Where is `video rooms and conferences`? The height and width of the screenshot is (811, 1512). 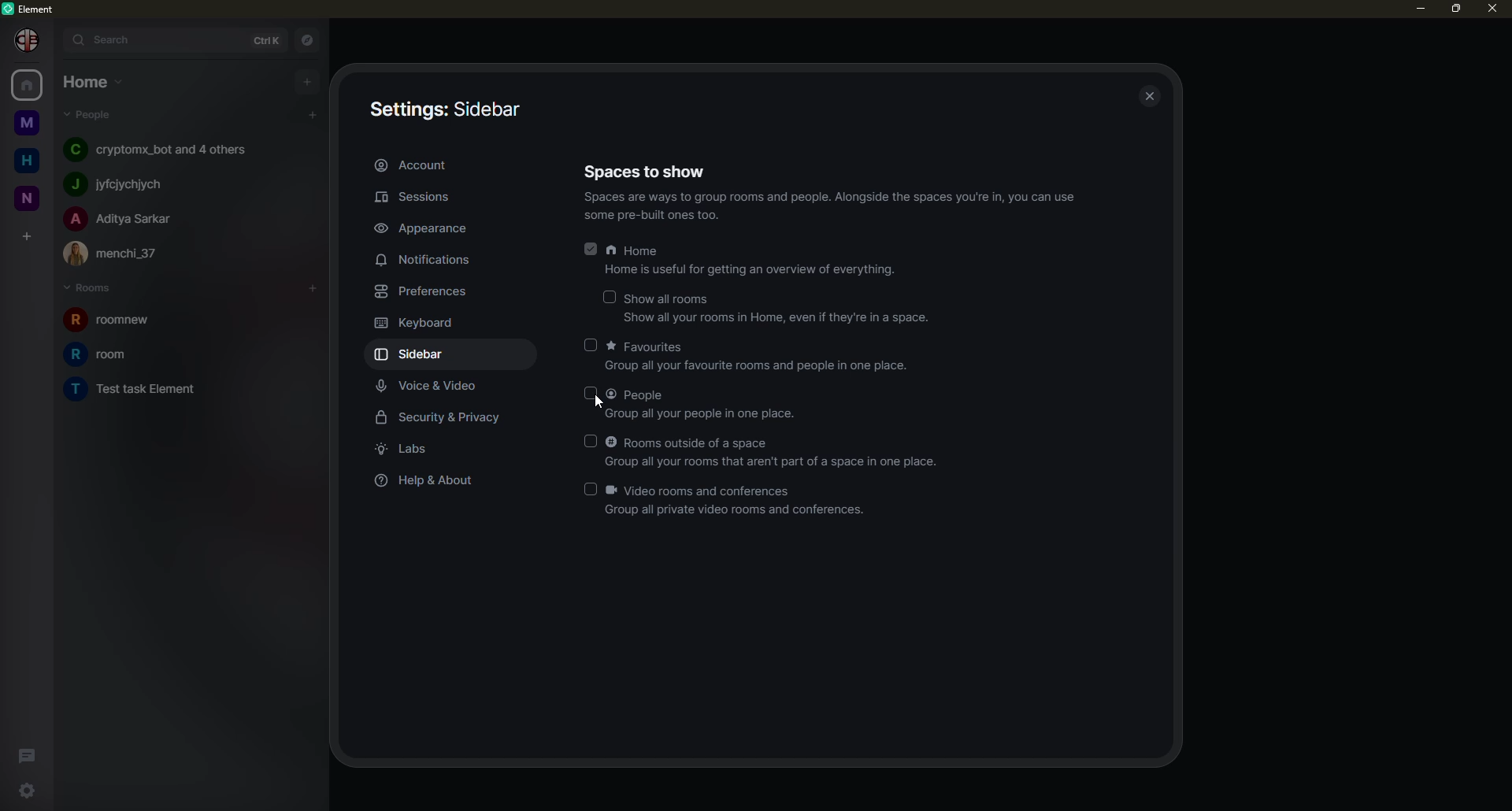
video rooms and conferences is located at coordinates (739, 501).